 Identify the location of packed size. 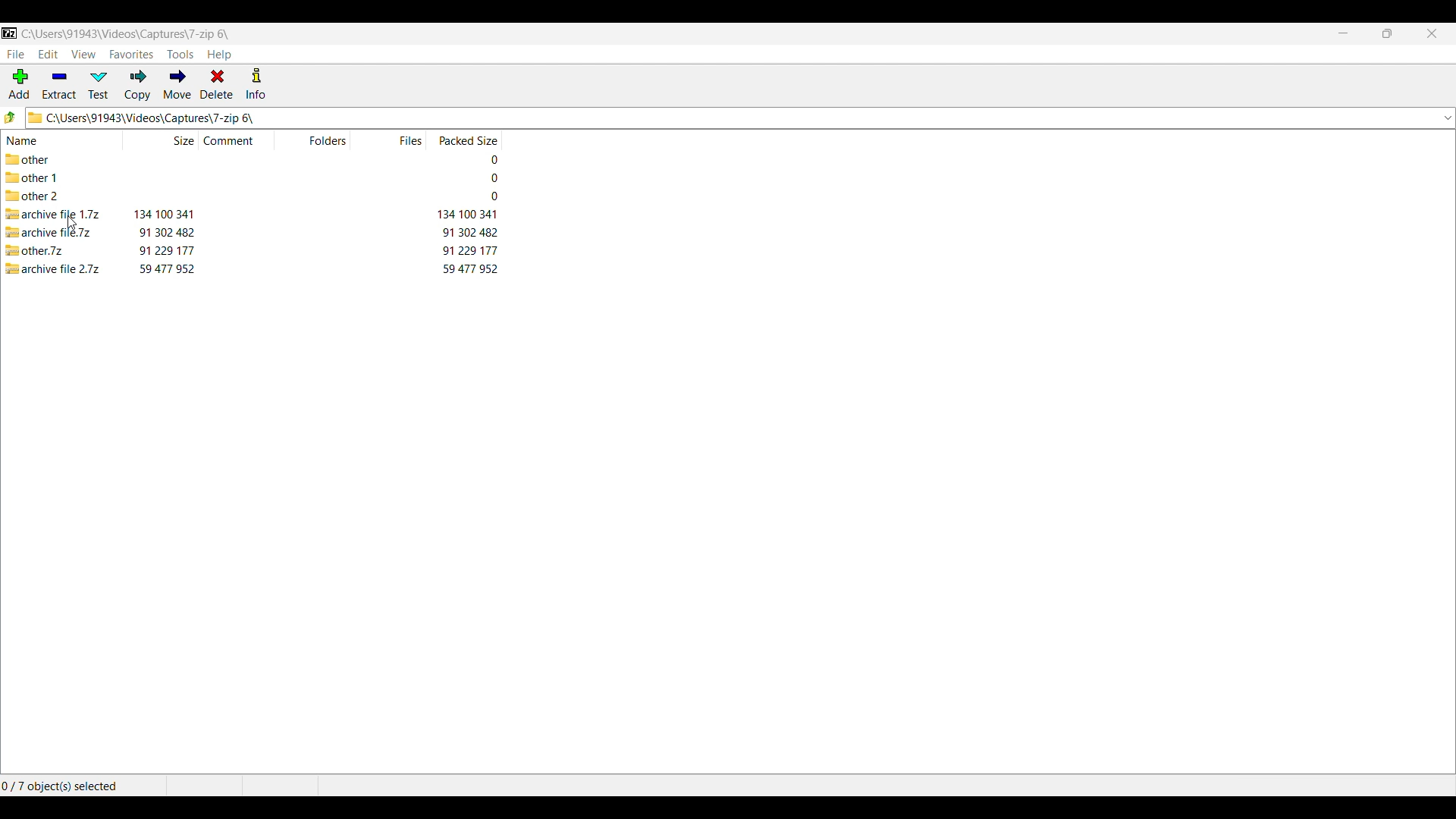
(469, 269).